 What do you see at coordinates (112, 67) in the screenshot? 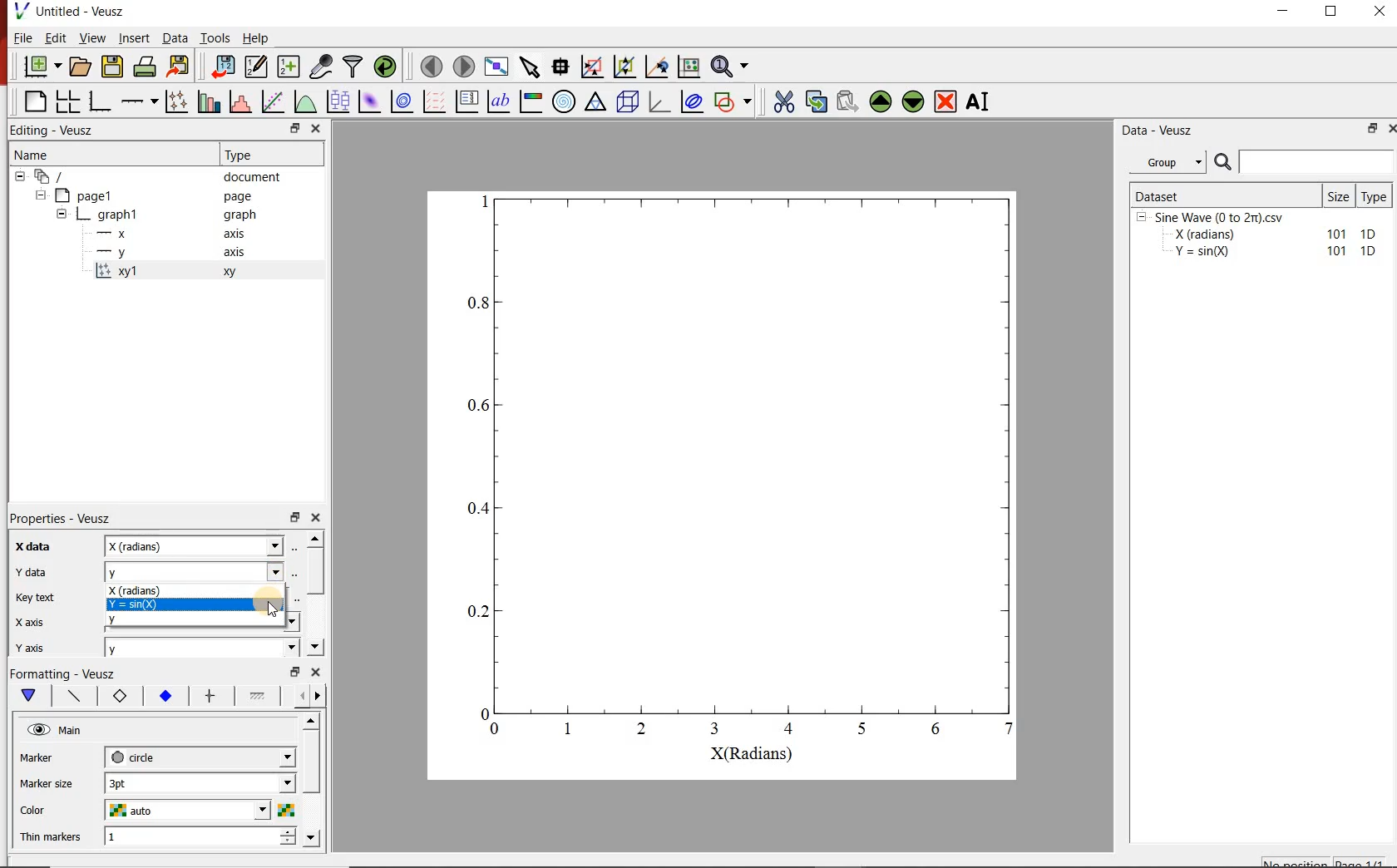
I see `save document` at bounding box center [112, 67].